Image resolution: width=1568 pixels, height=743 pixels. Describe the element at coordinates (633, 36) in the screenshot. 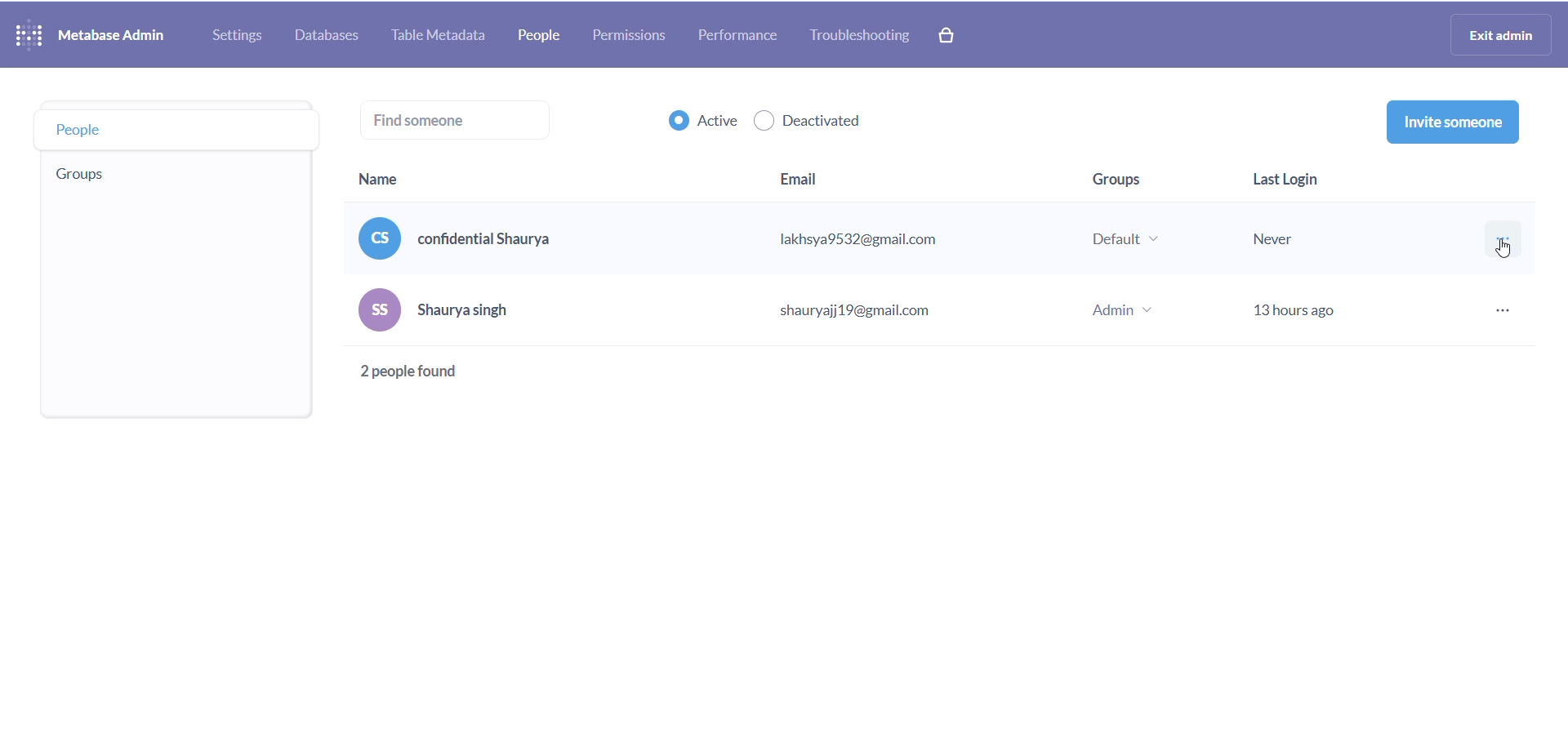

I see `permissions` at that location.